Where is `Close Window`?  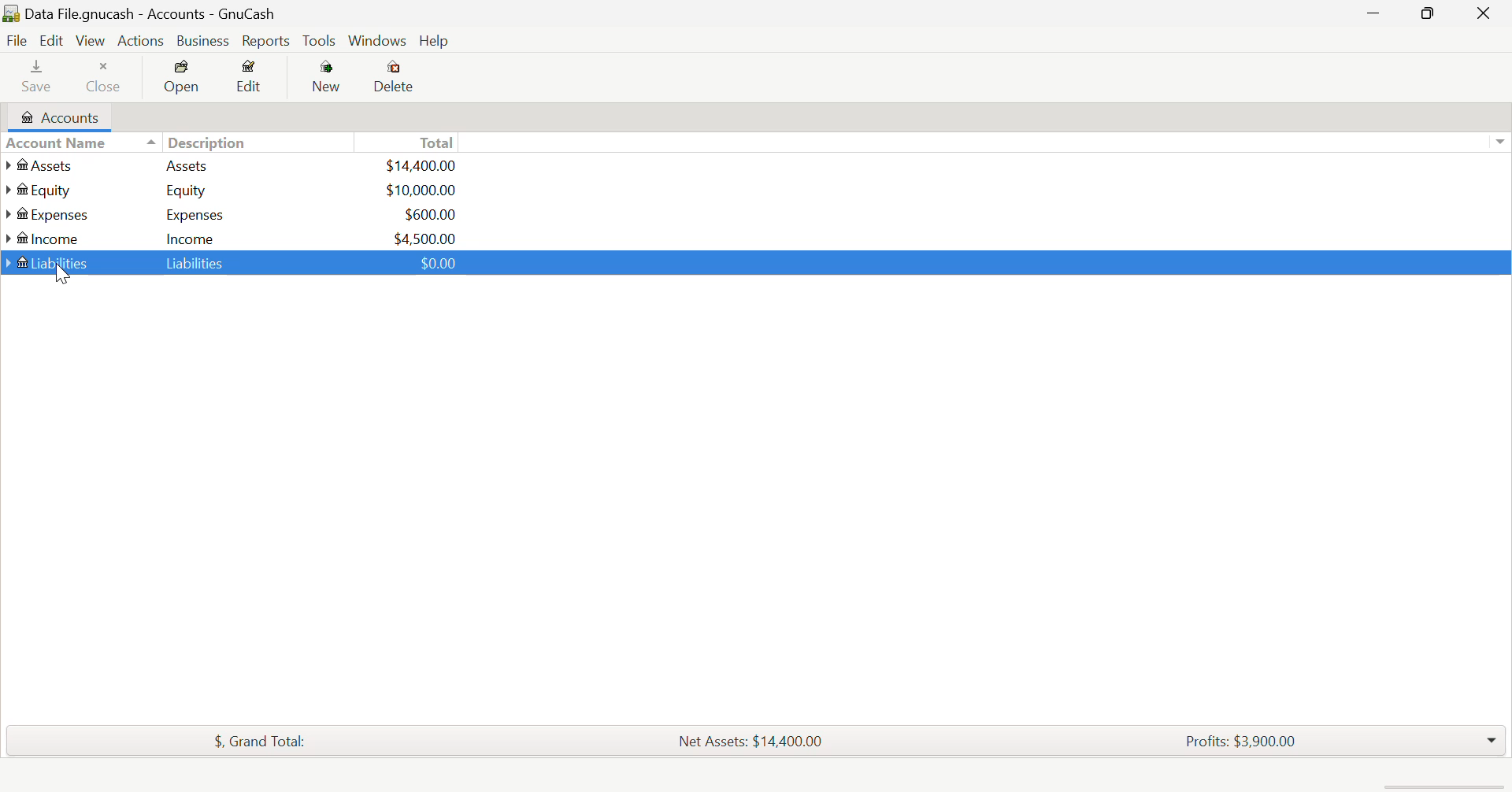 Close Window is located at coordinates (1488, 13).